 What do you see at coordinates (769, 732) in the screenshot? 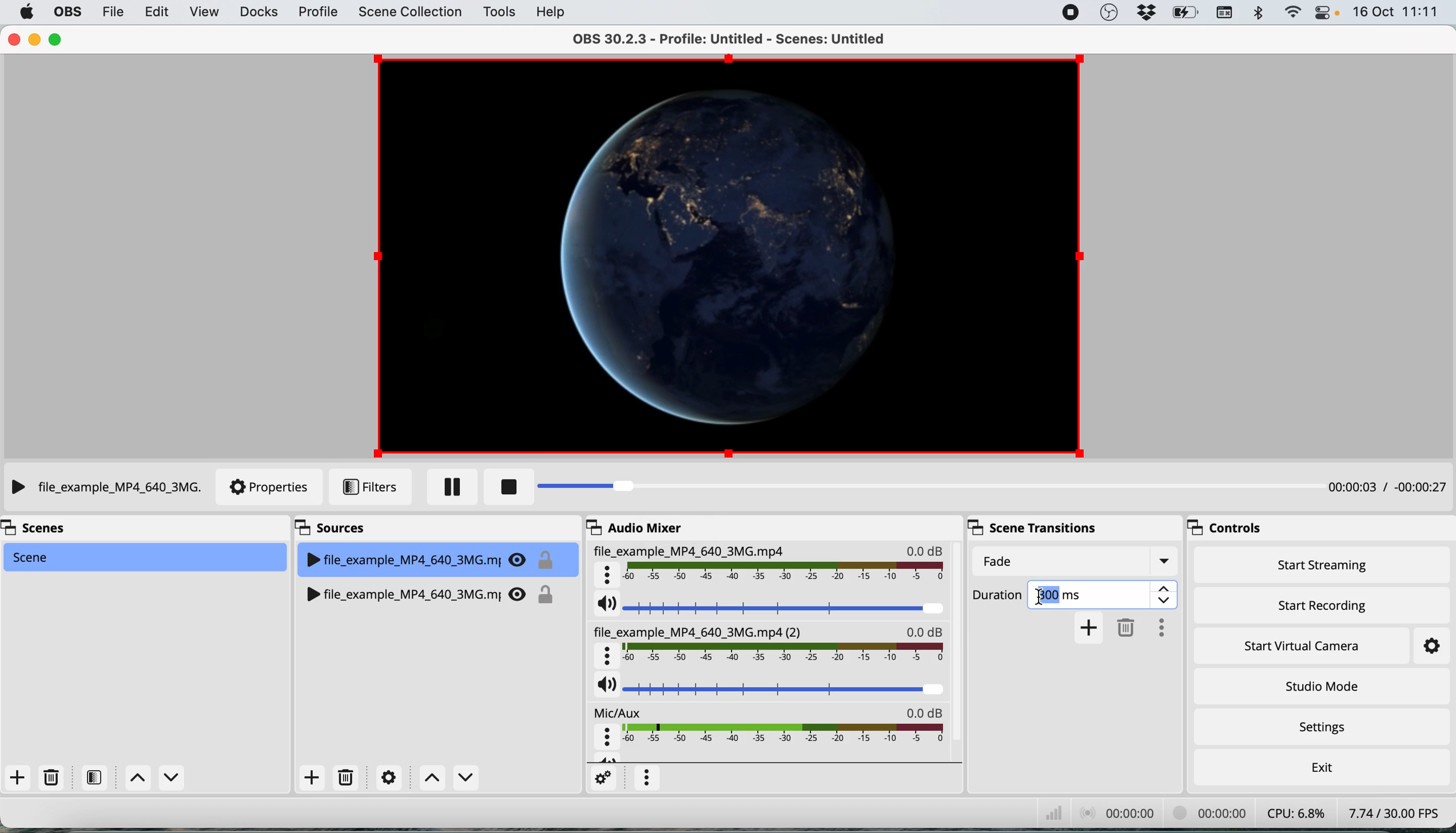
I see `mic aux audio` at bounding box center [769, 732].